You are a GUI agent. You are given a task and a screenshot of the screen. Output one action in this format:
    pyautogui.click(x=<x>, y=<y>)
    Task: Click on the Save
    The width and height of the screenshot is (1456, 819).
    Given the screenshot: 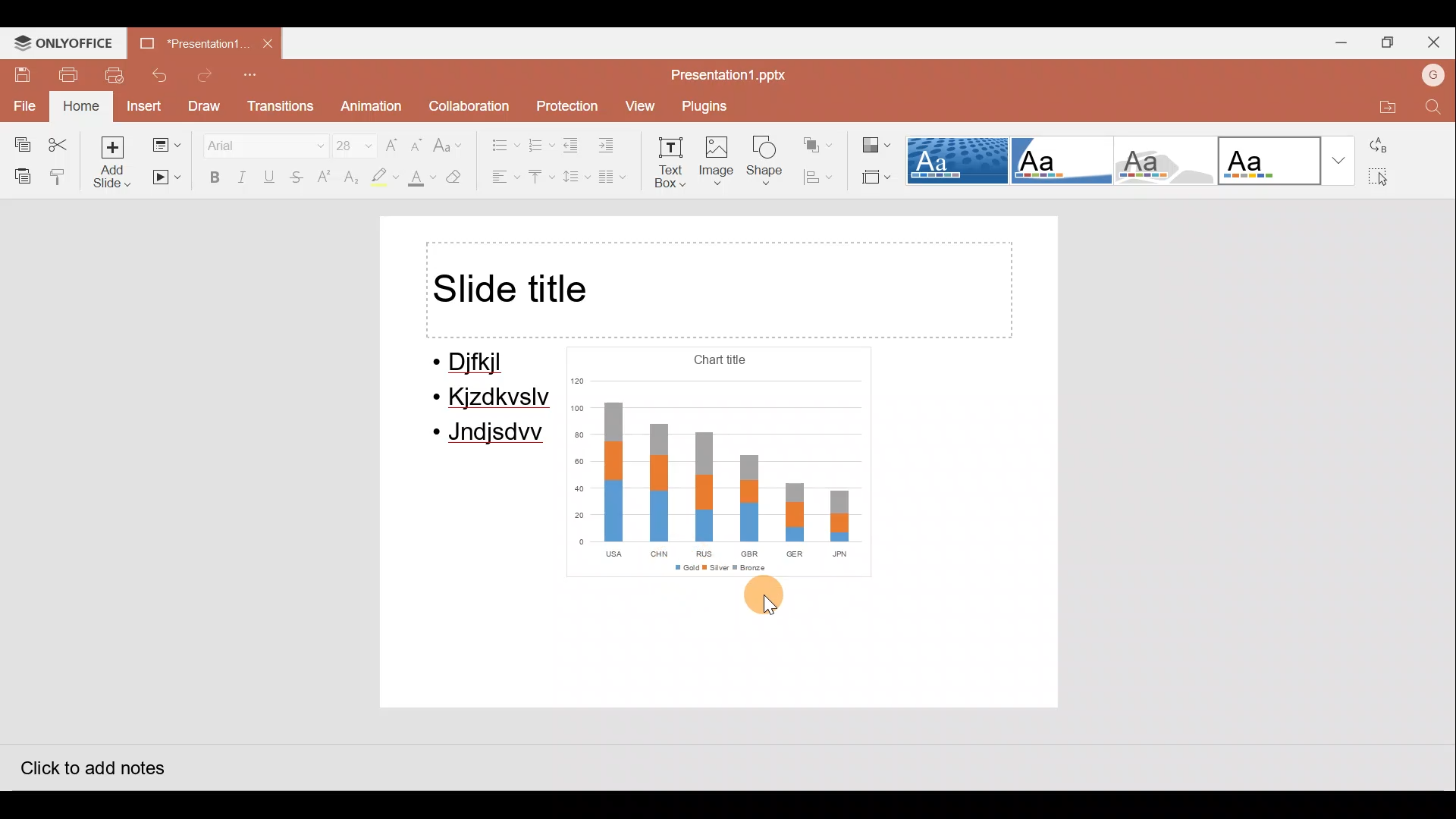 What is the action you would take?
    pyautogui.click(x=18, y=73)
    